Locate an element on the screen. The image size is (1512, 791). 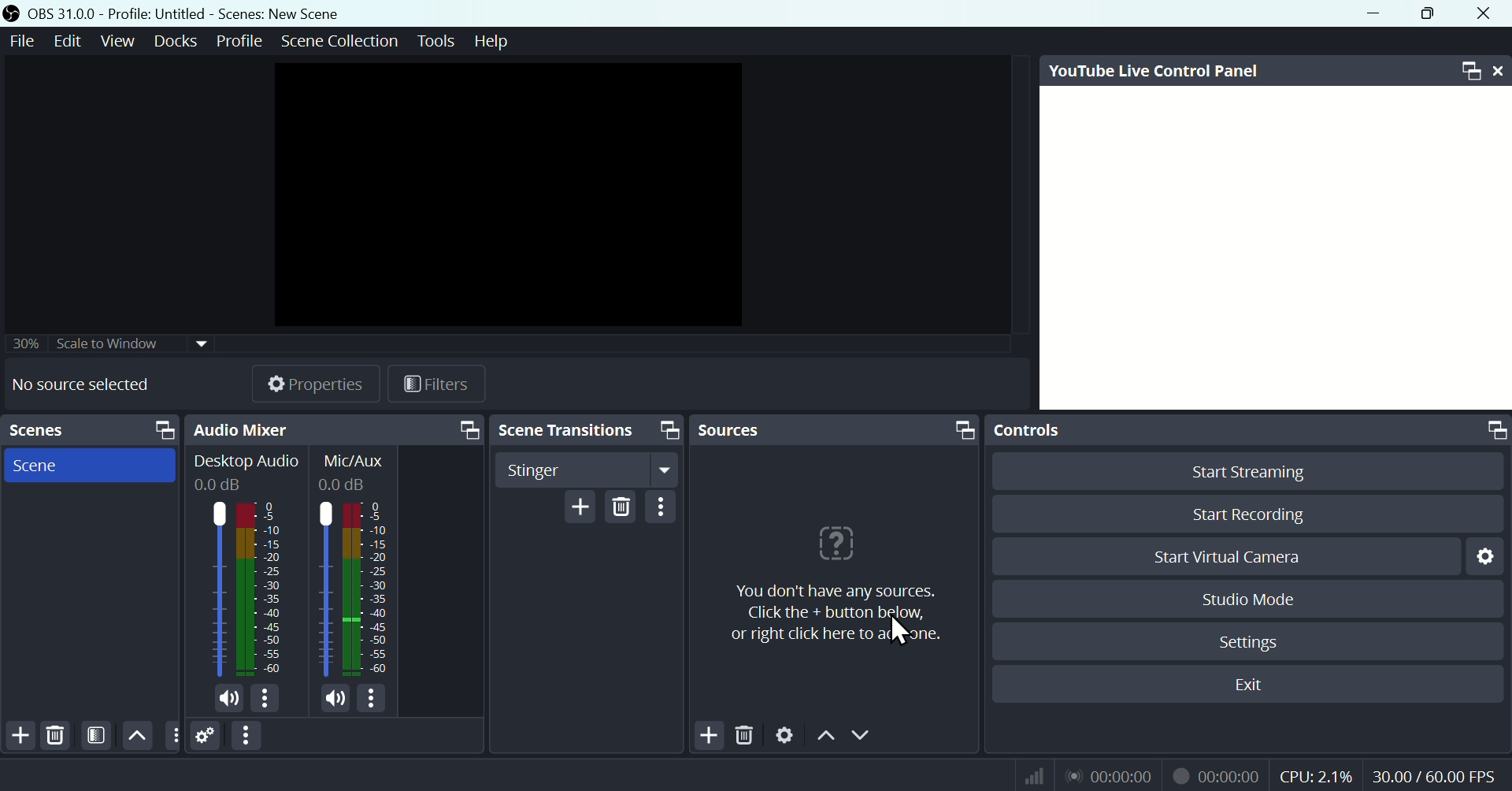
Audio mixer is located at coordinates (246, 567).